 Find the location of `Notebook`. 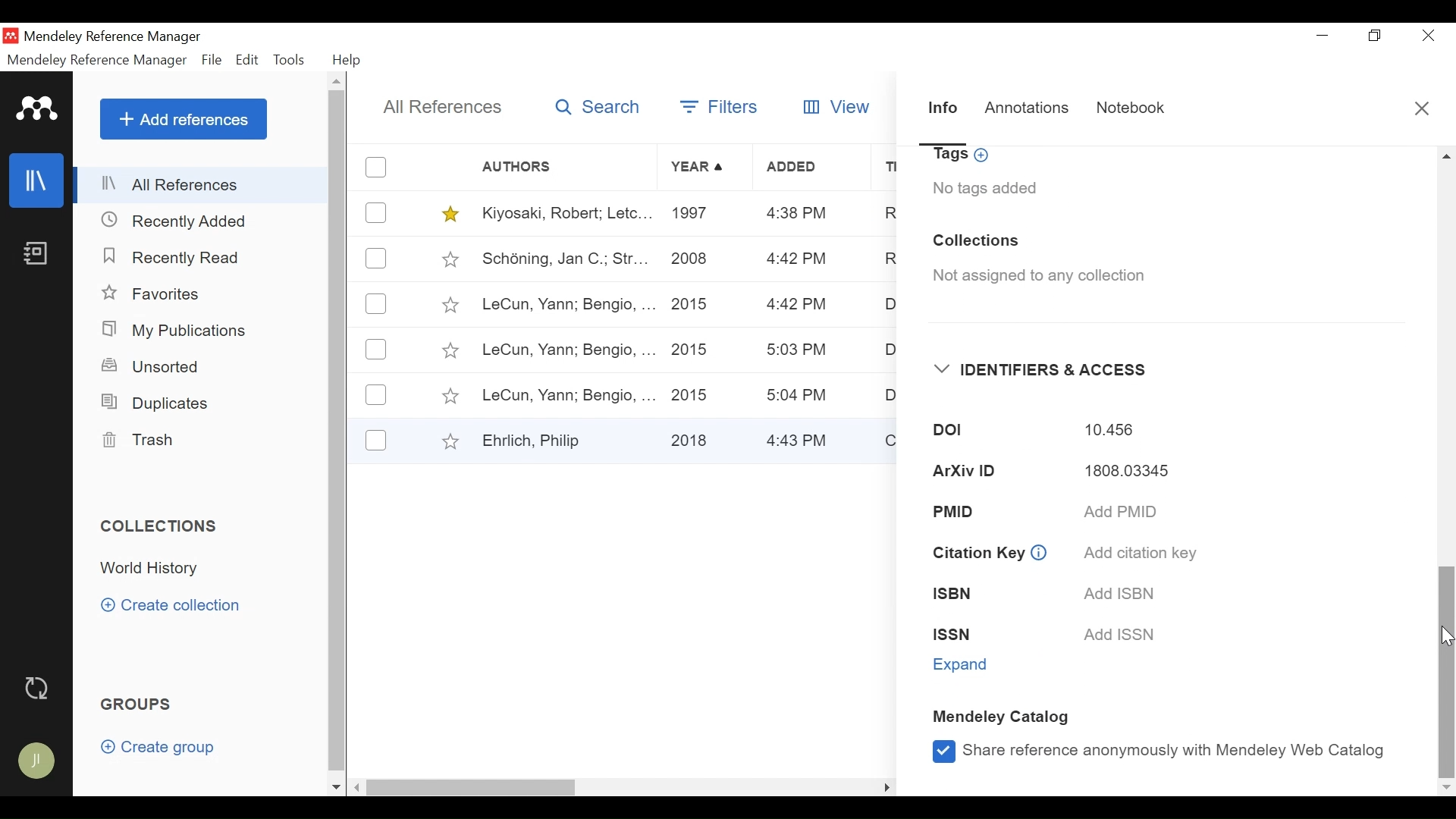

Notebook is located at coordinates (34, 257).